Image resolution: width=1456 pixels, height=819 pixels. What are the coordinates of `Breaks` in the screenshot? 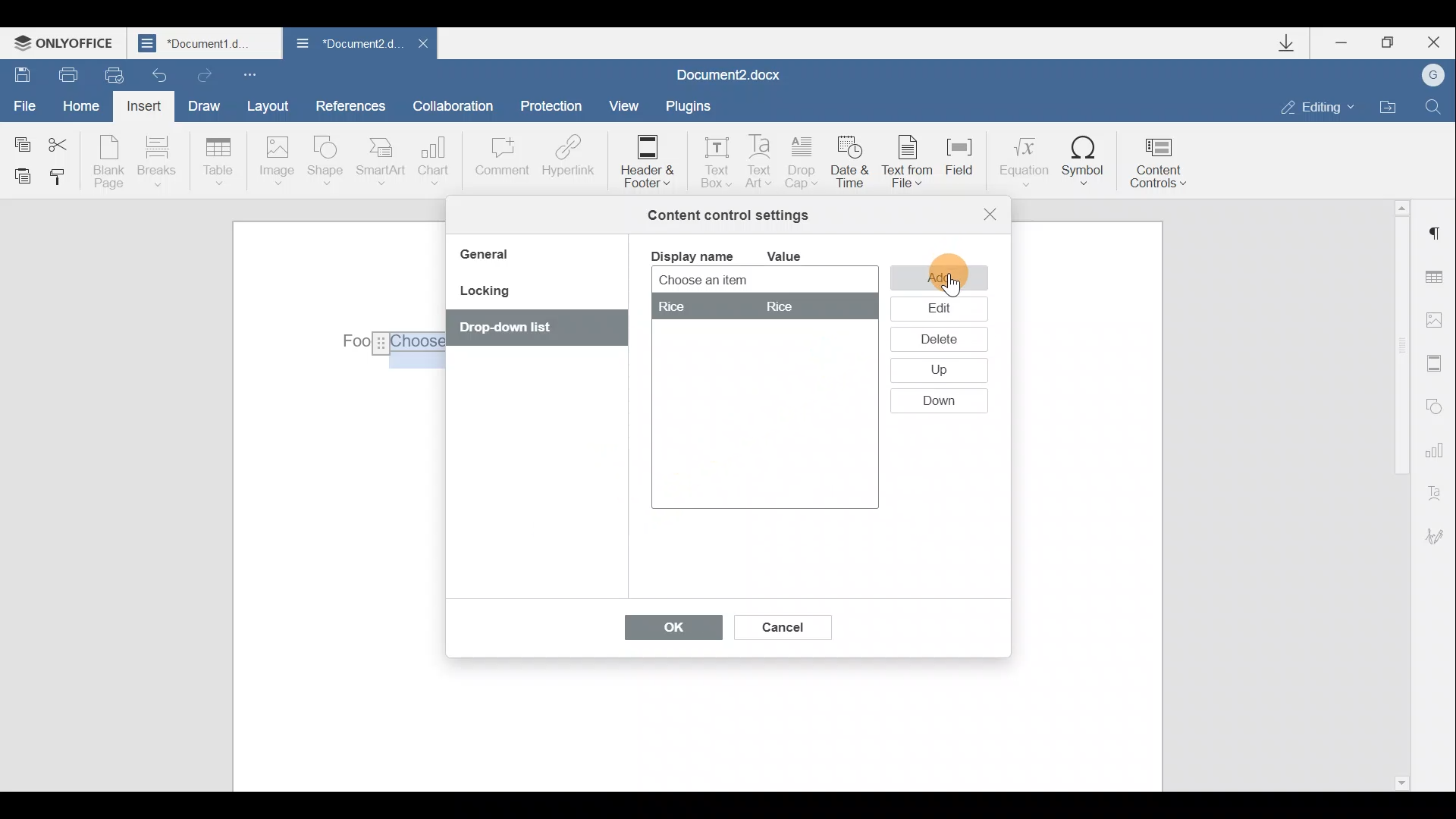 It's located at (155, 165).